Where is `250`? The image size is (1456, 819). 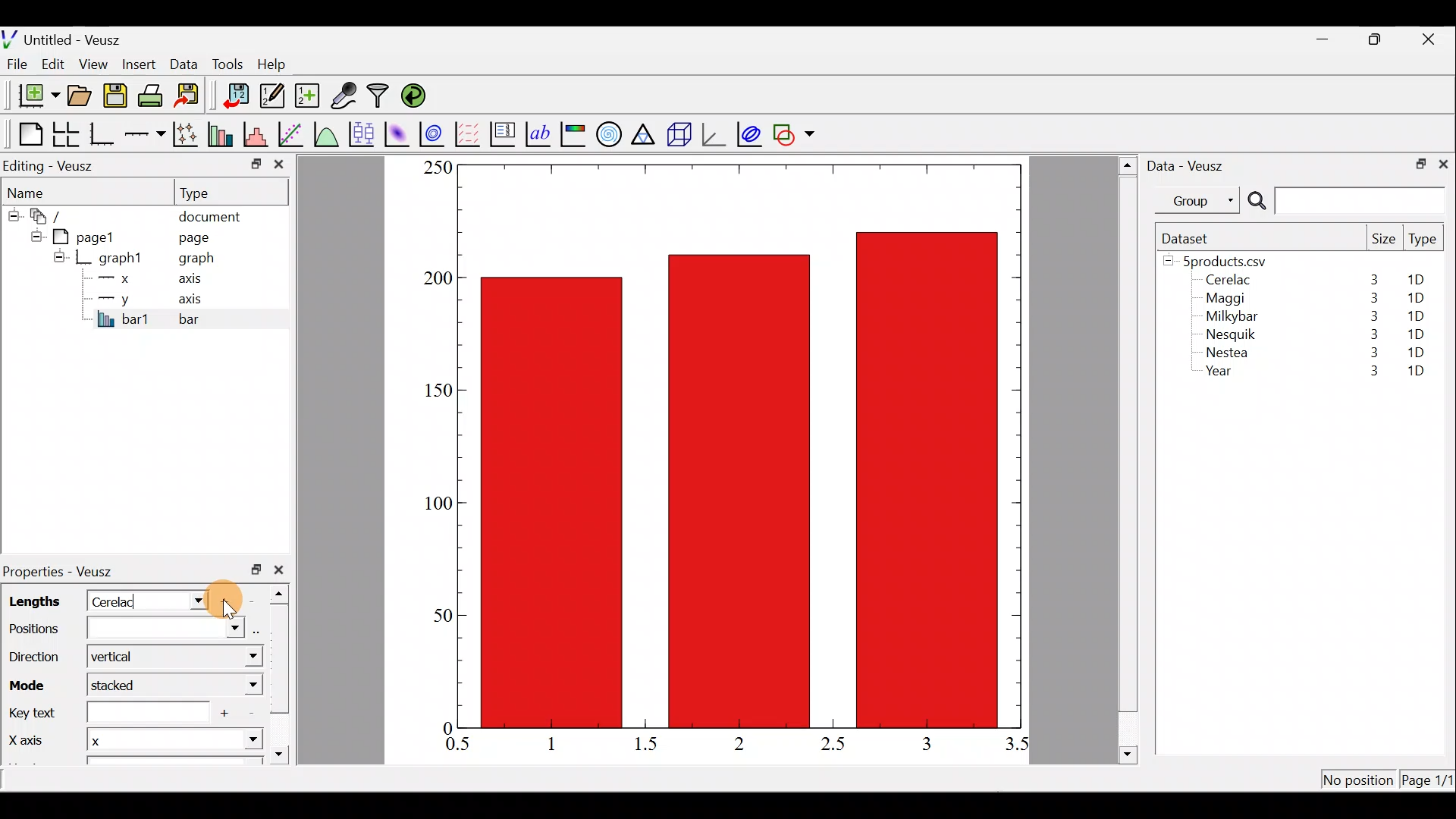 250 is located at coordinates (437, 167).